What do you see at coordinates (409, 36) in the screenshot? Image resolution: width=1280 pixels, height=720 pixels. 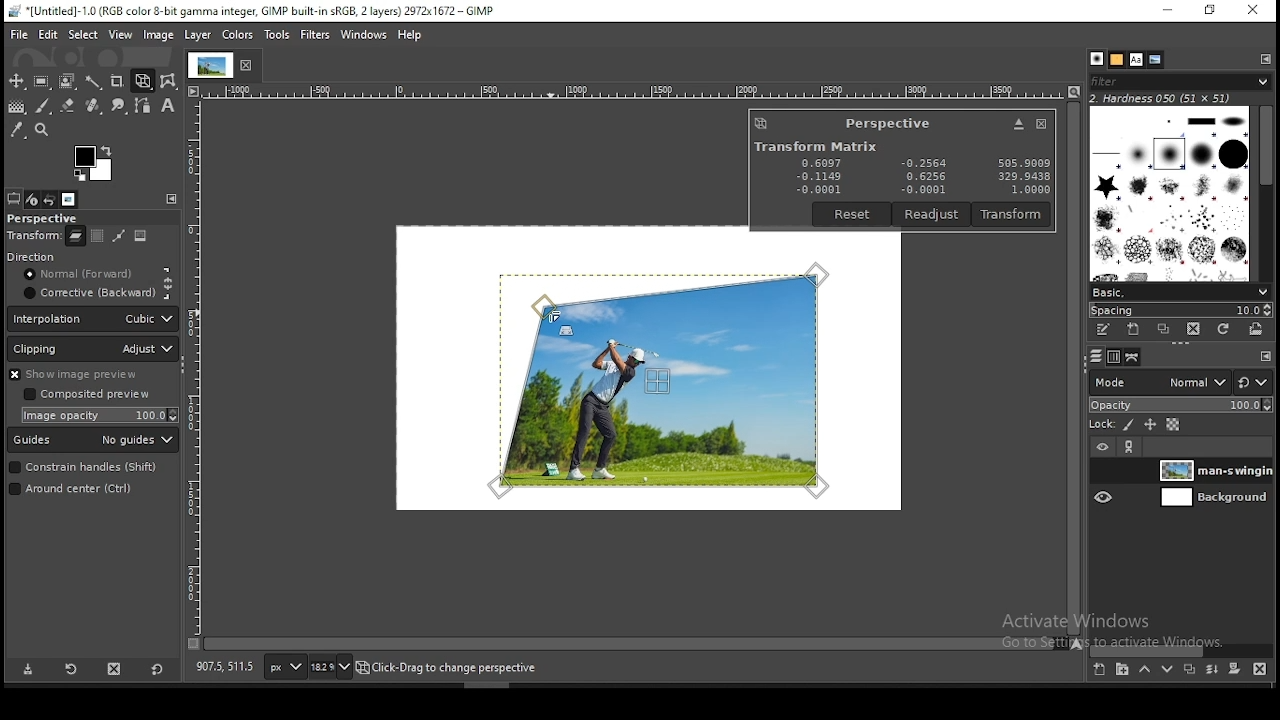 I see `help` at bounding box center [409, 36].